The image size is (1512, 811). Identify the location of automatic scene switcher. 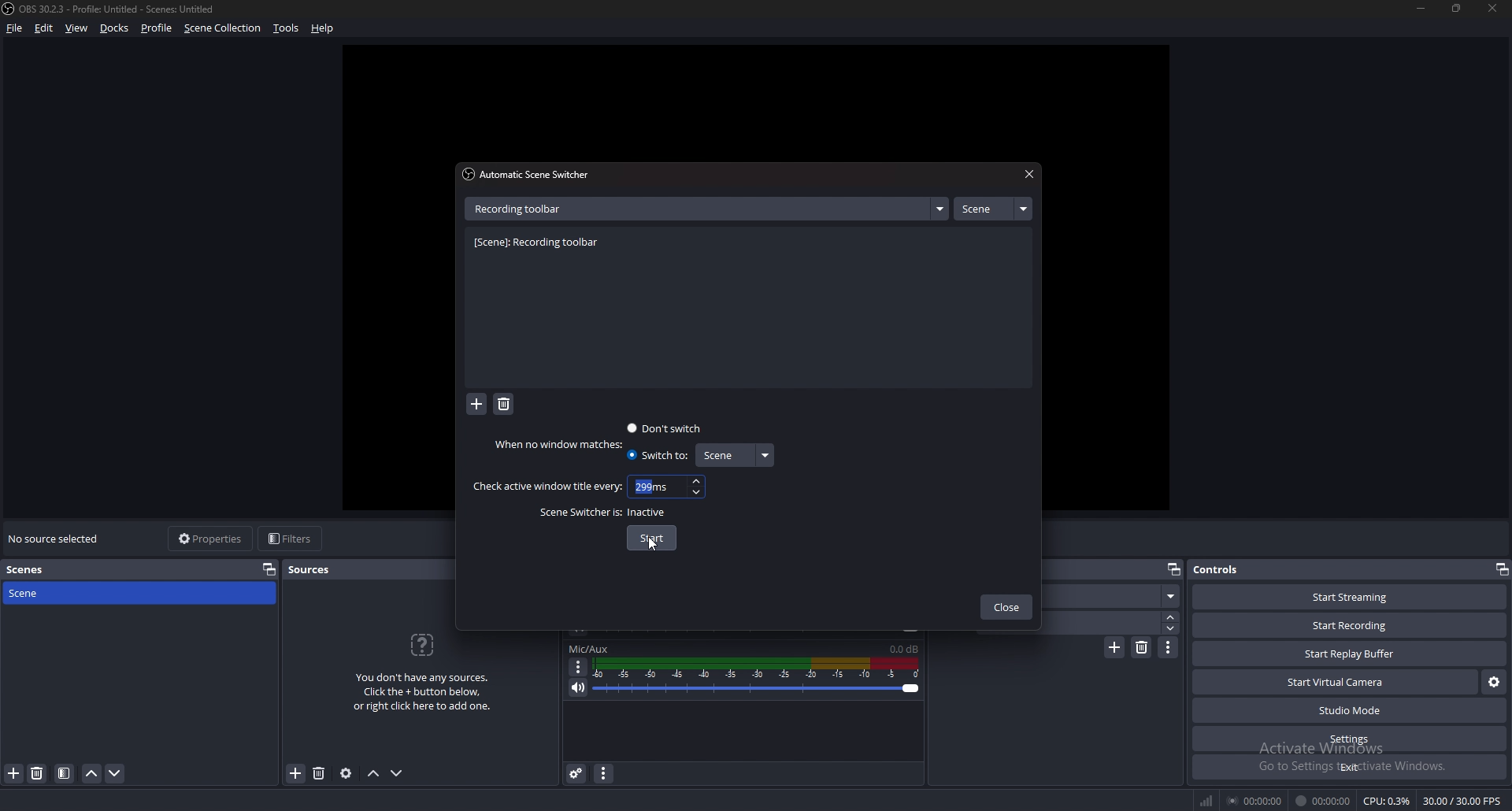
(530, 174).